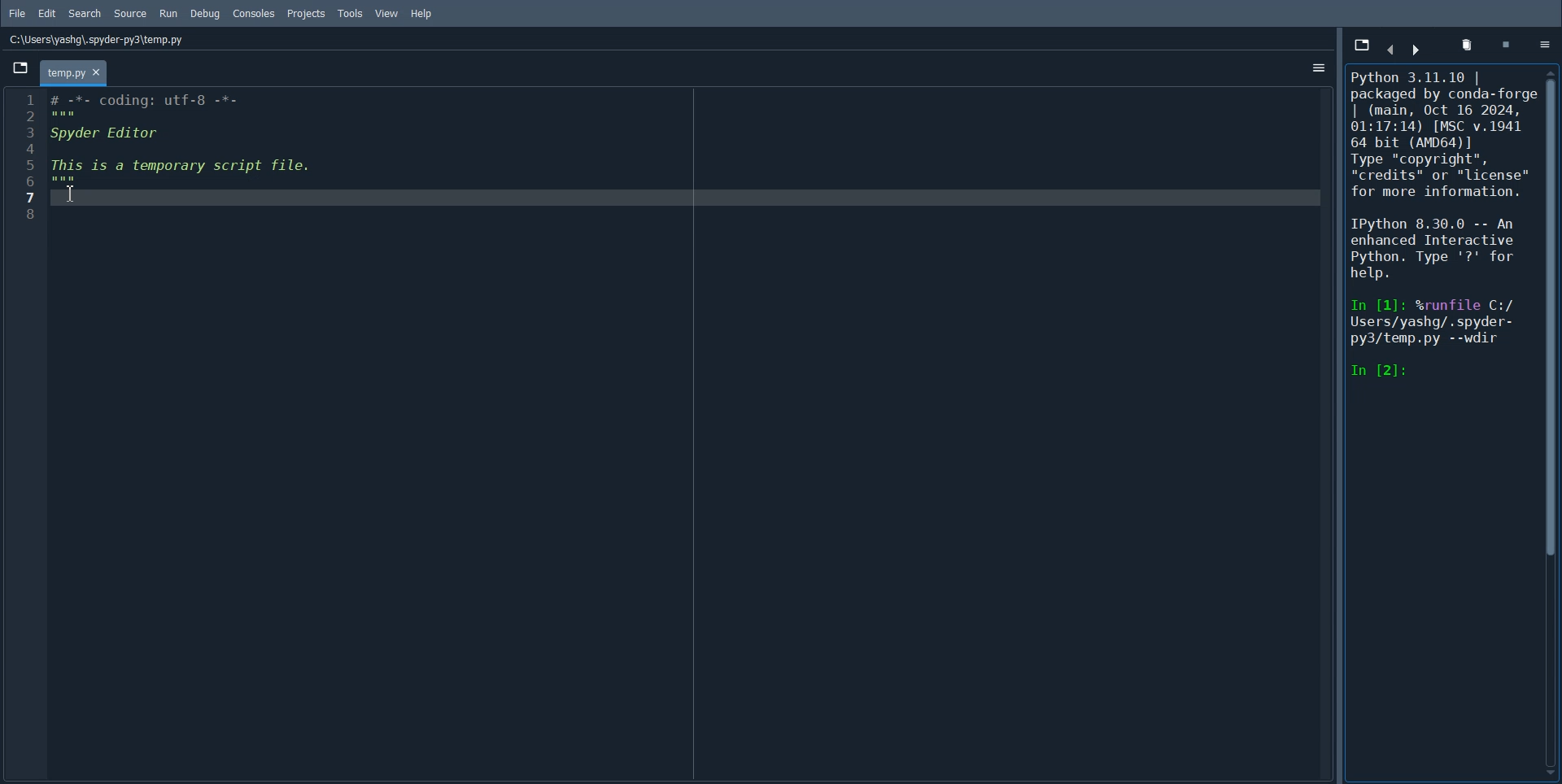 The height and width of the screenshot is (784, 1562). What do you see at coordinates (1363, 46) in the screenshot?
I see `Browse tab` at bounding box center [1363, 46].